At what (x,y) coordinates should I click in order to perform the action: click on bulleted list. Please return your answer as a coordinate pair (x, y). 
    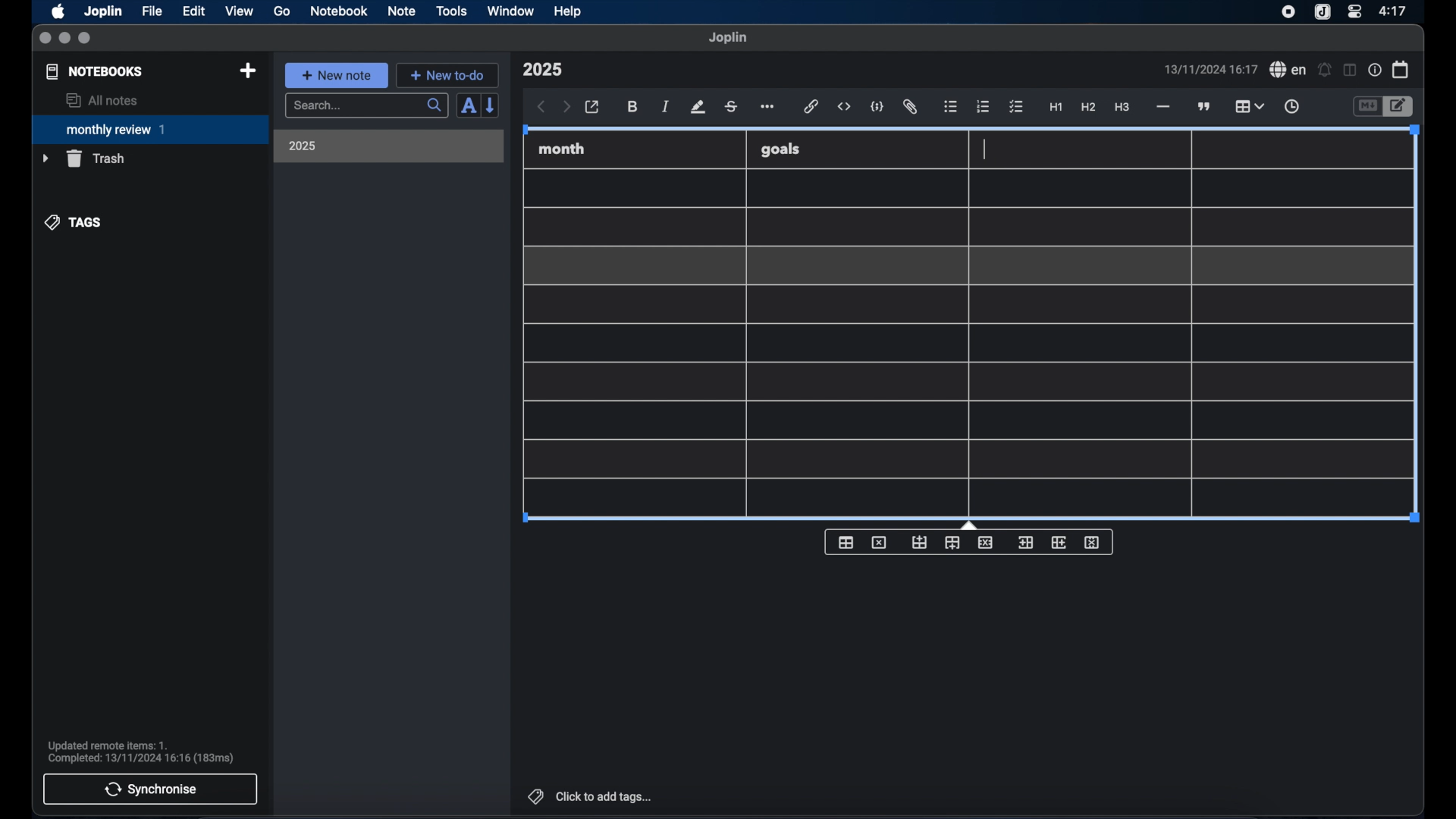
    Looking at the image, I should click on (950, 107).